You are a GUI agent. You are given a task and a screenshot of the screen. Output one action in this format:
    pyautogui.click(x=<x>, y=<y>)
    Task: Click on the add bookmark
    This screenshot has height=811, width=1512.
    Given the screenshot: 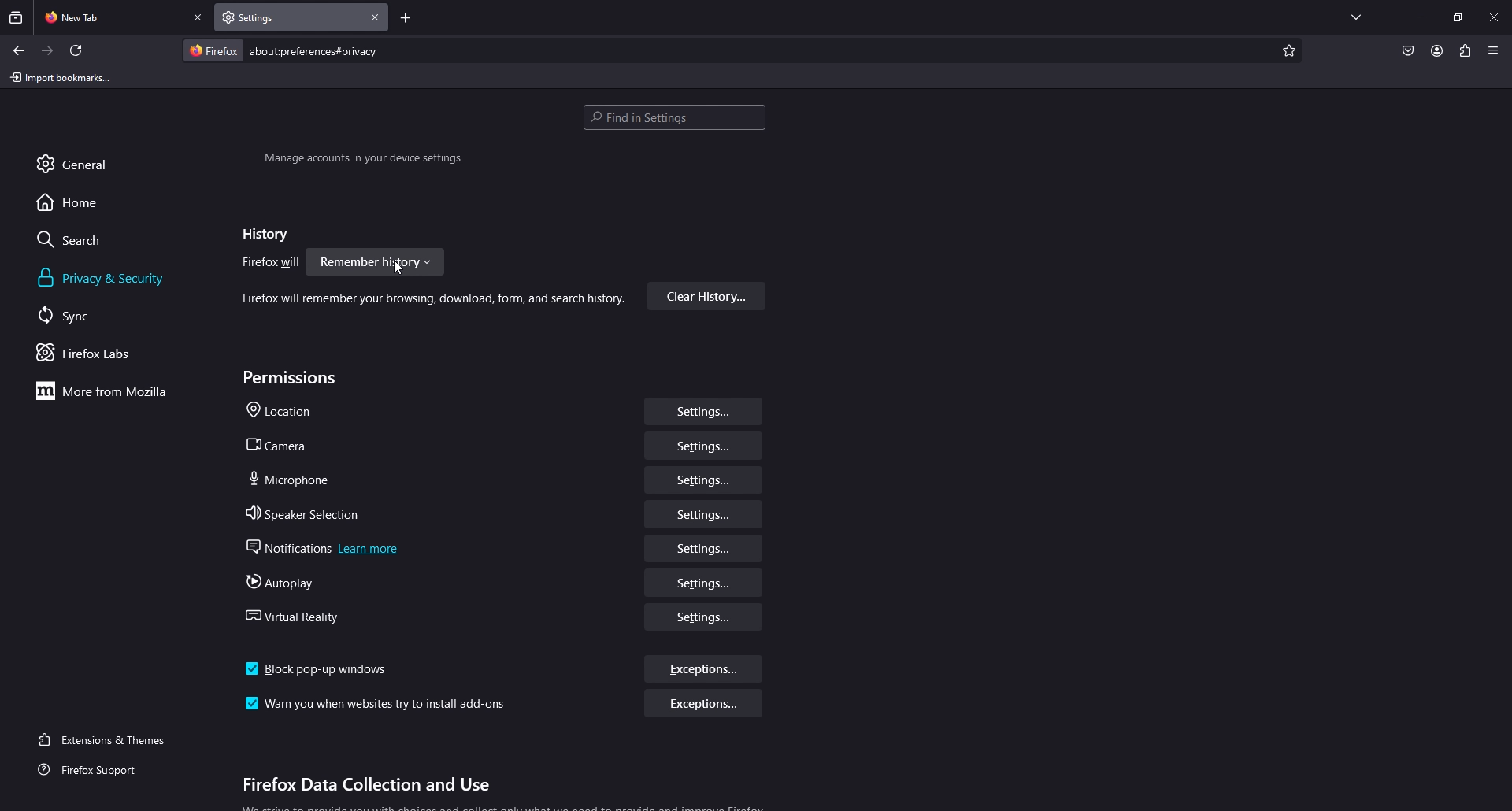 What is the action you would take?
    pyautogui.click(x=1287, y=51)
    